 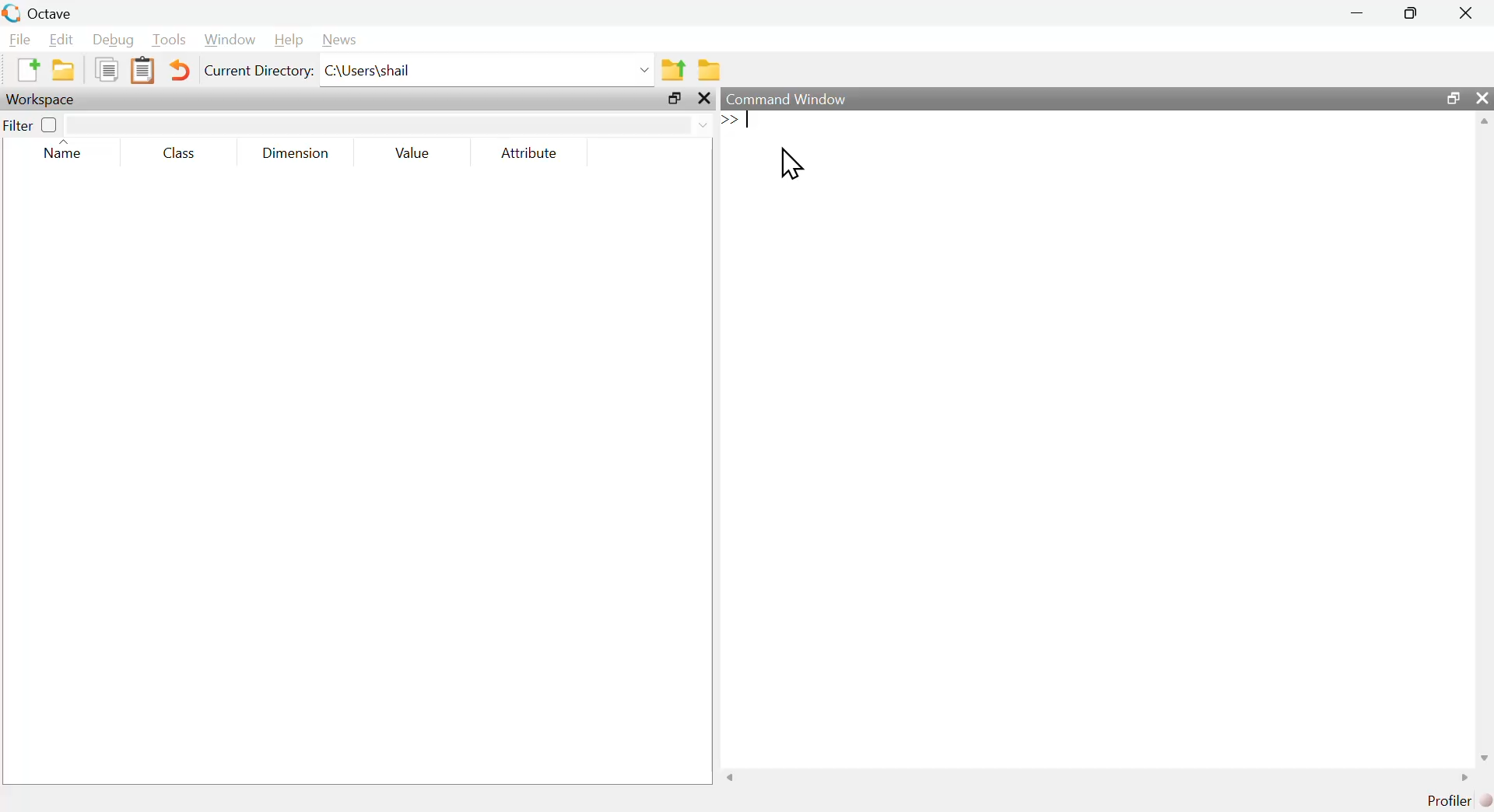 I want to click on Class, so click(x=185, y=151).